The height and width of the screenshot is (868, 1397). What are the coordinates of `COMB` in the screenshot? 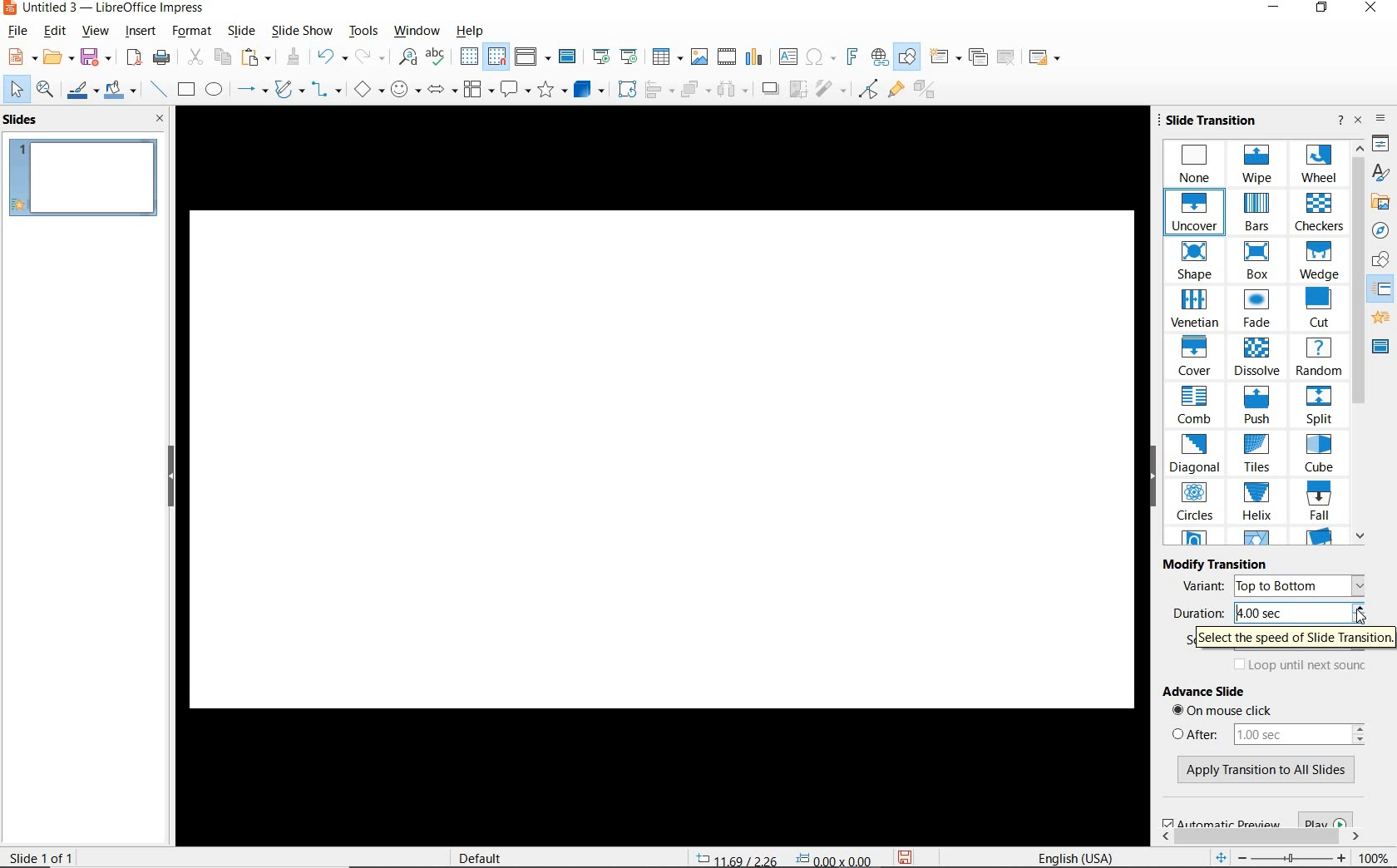 It's located at (1196, 406).